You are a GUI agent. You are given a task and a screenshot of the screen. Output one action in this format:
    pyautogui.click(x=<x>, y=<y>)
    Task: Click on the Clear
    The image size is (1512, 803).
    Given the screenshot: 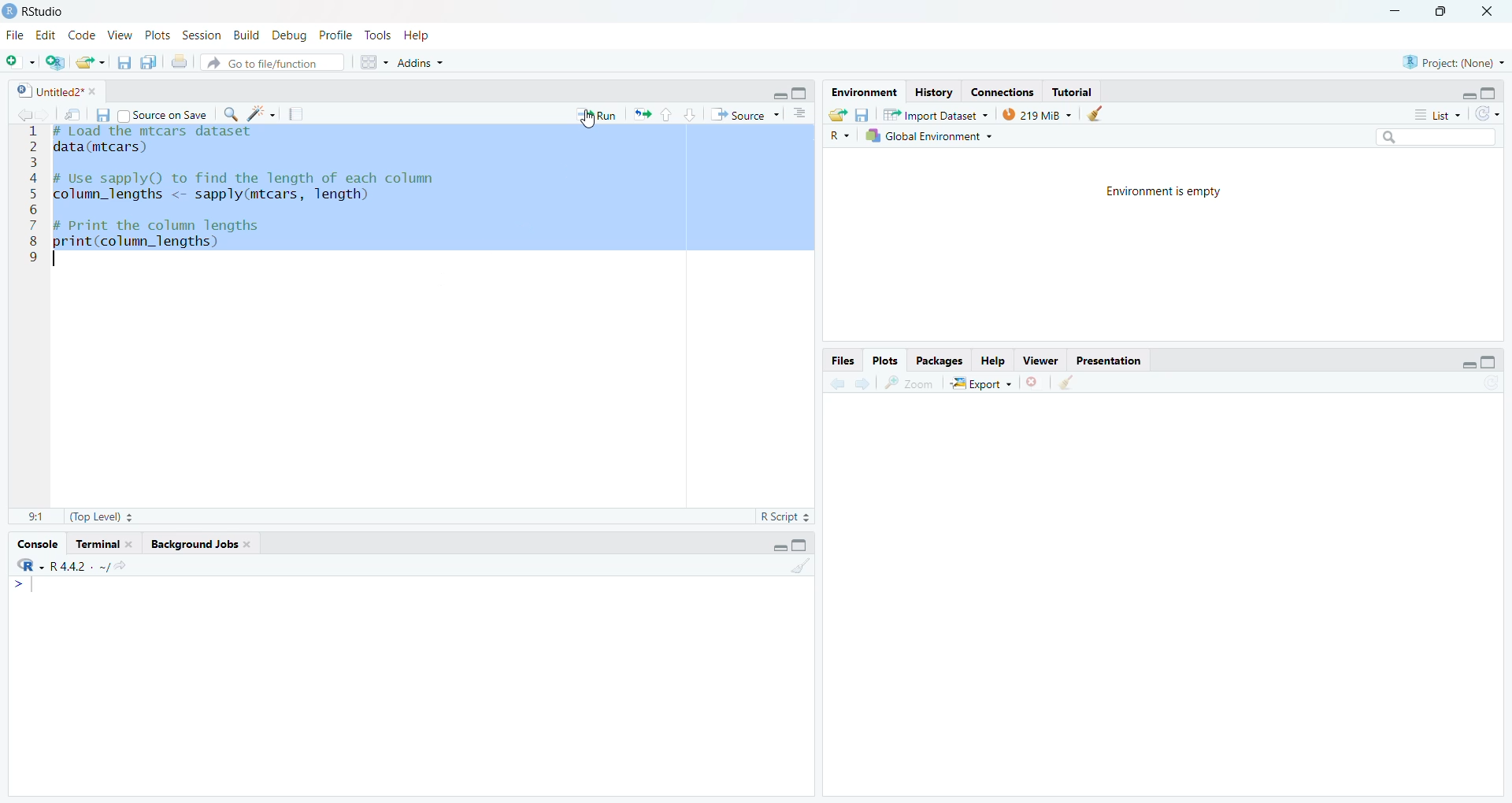 What is the action you would take?
    pyautogui.click(x=799, y=564)
    